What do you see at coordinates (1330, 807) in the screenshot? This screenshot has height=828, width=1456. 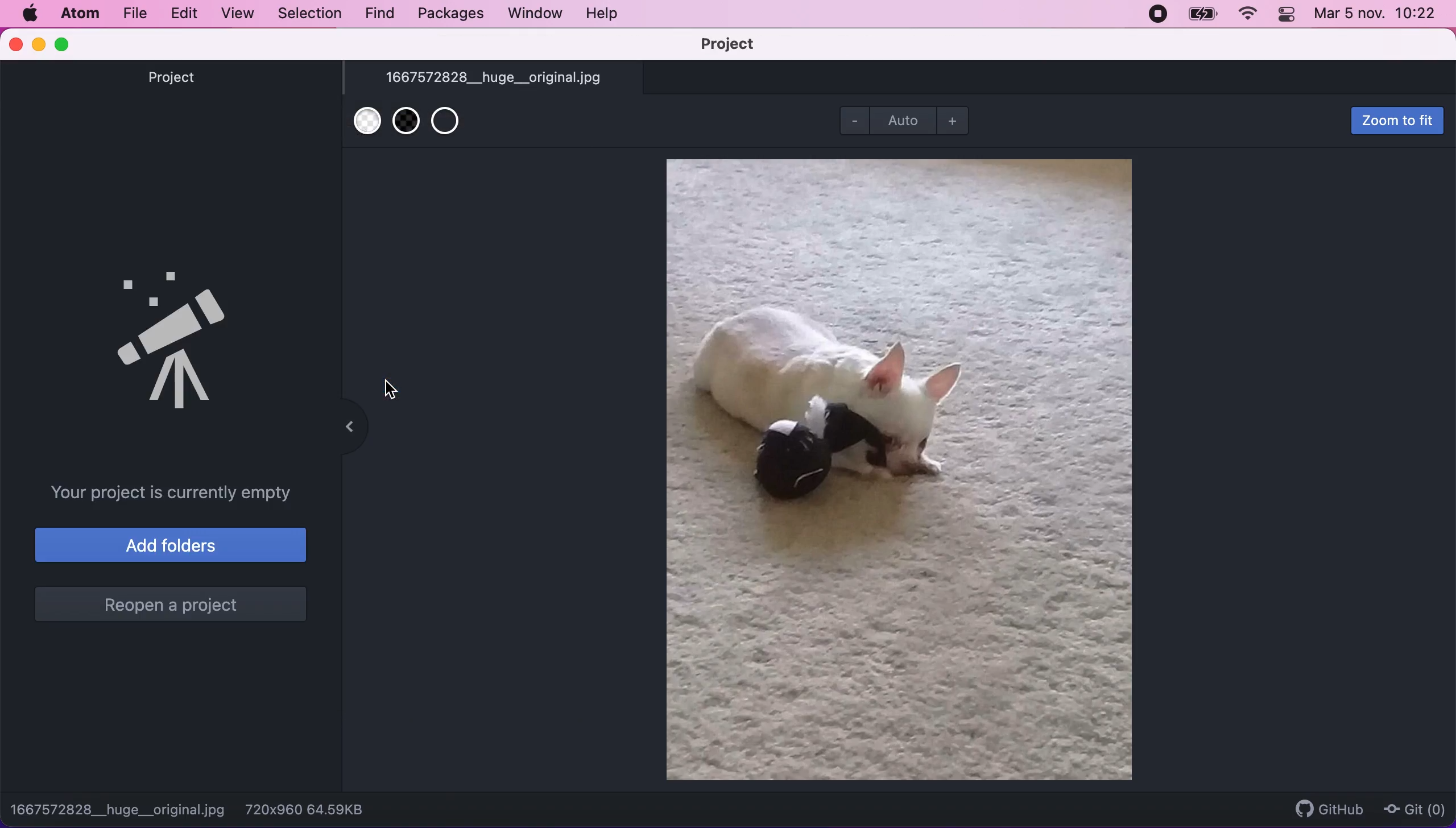 I see `github` at bounding box center [1330, 807].